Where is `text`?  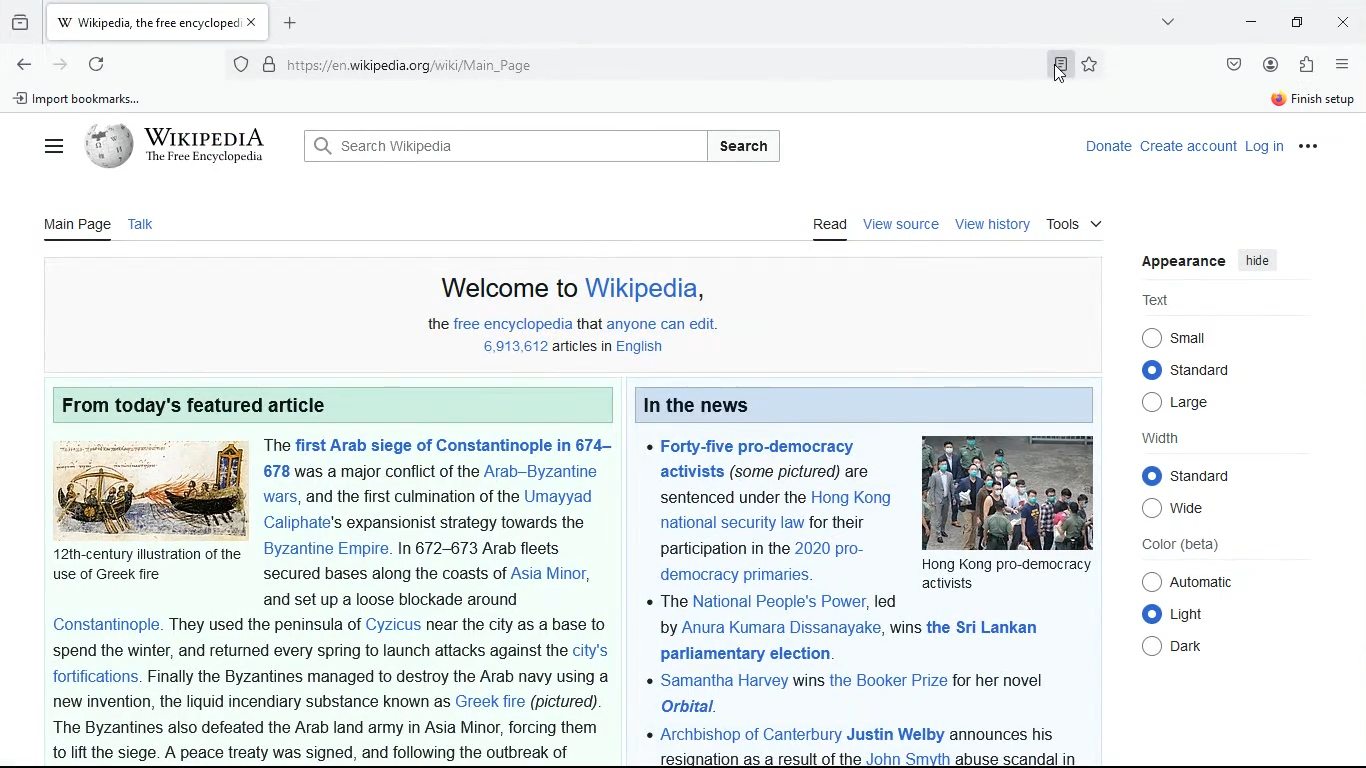 text is located at coordinates (1155, 300).